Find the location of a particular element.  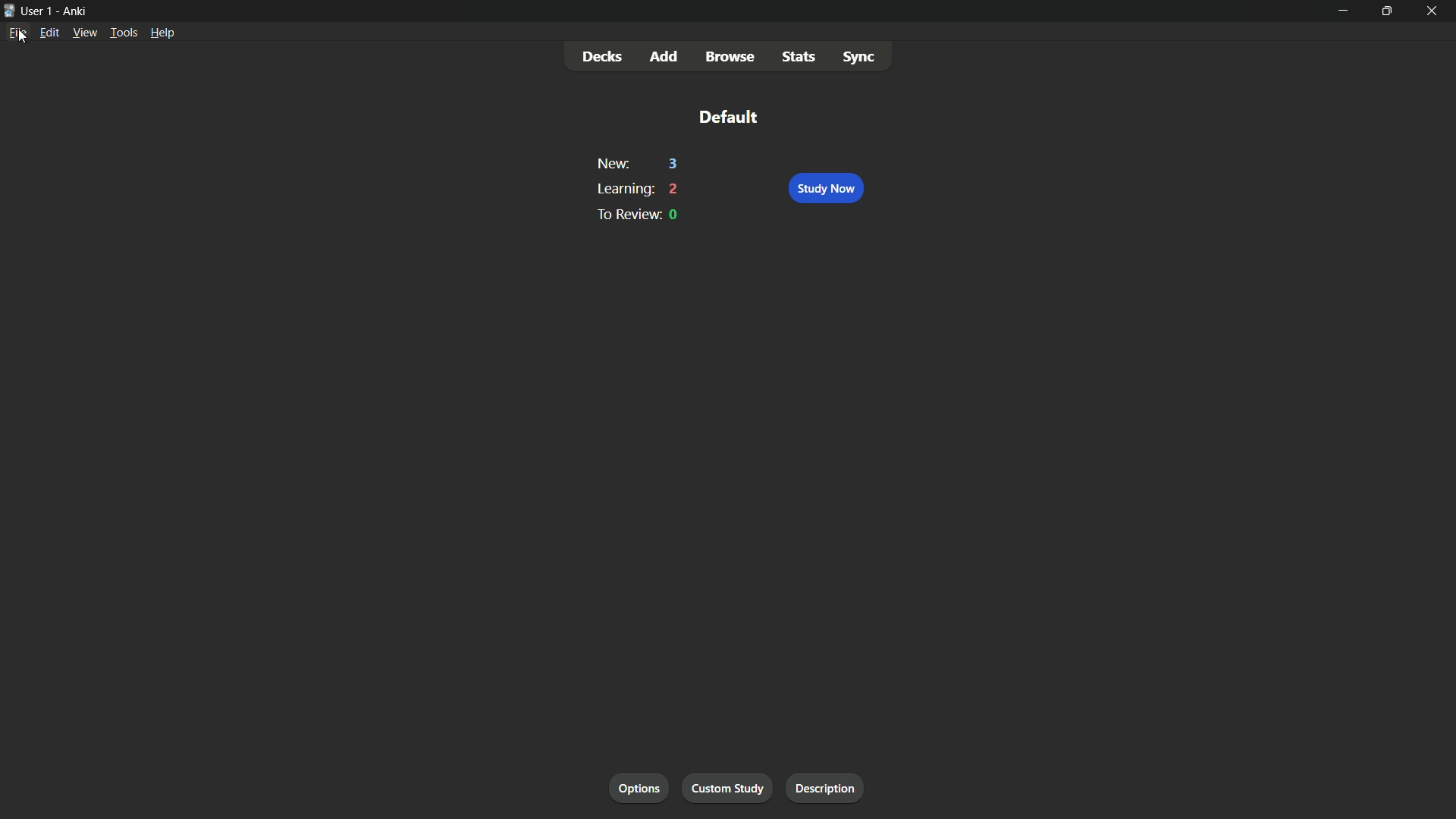

add is located at coordinates (665, 58).